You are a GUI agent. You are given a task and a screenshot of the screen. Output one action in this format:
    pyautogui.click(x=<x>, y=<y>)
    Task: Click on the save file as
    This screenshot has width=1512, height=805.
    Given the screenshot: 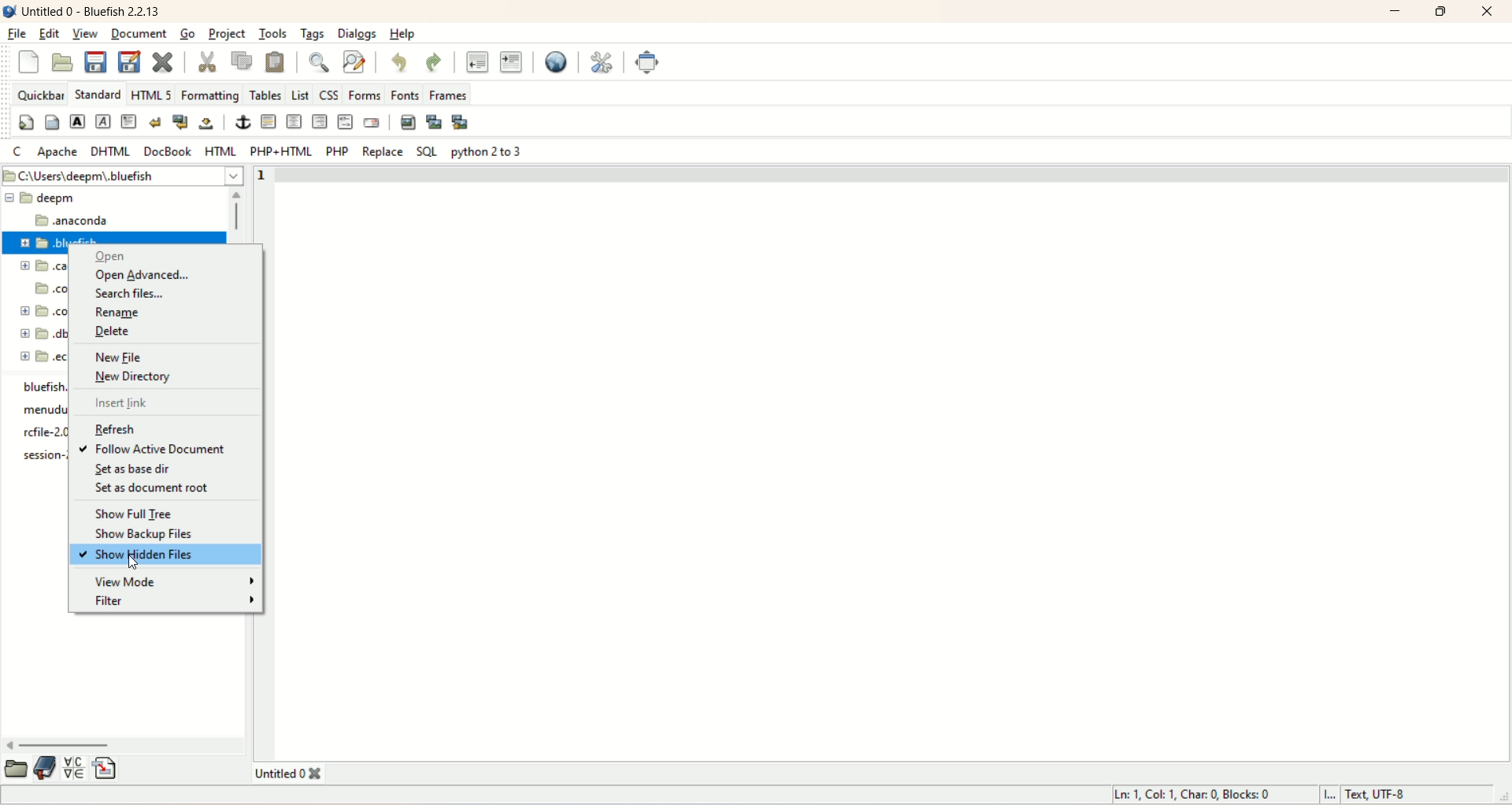 What is the action you would take?
    pyautogui.click(x=129, y=62)
    